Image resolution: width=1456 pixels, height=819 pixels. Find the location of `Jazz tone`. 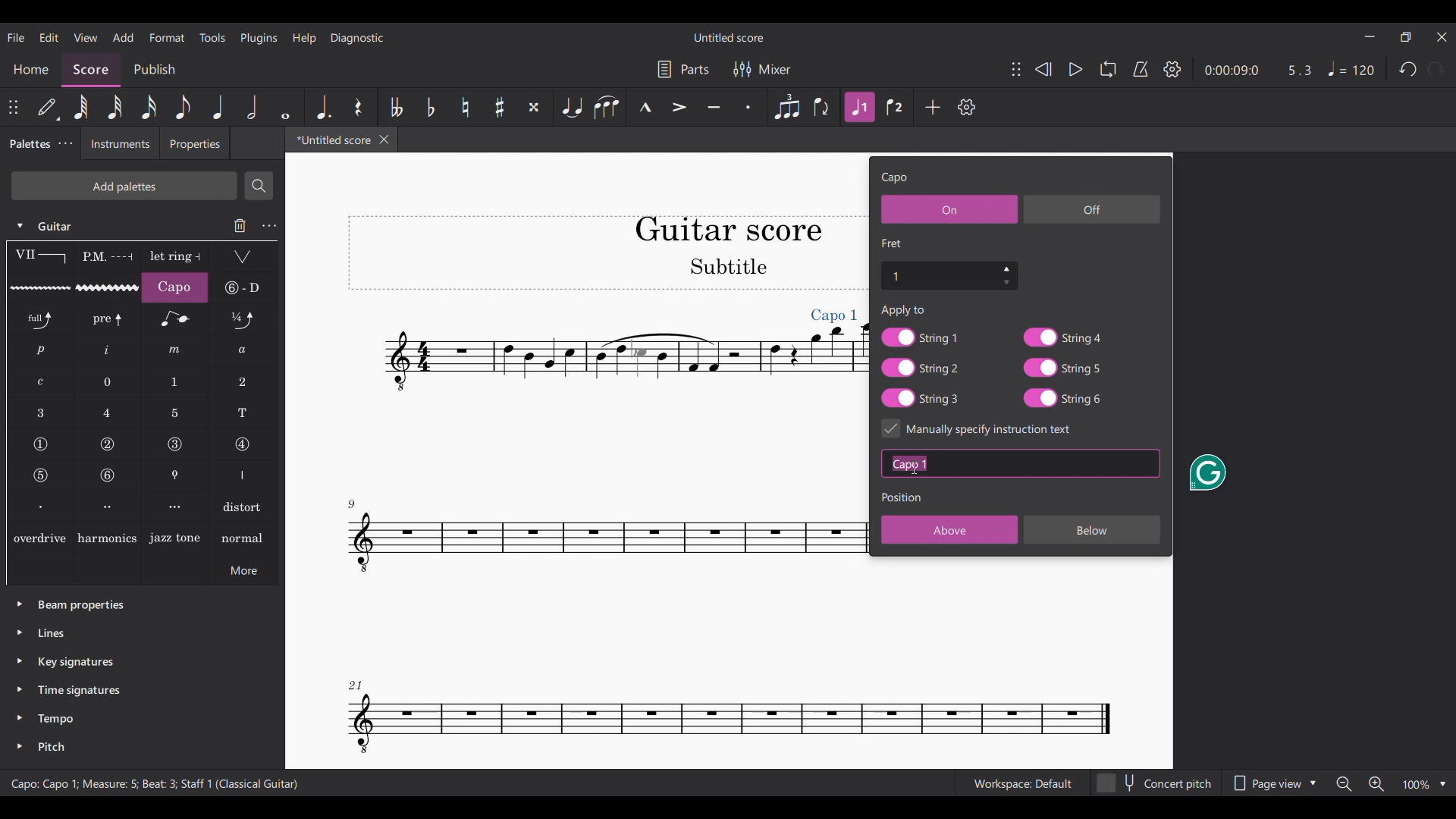

Jazz tone is located at coordinates (175, 537).